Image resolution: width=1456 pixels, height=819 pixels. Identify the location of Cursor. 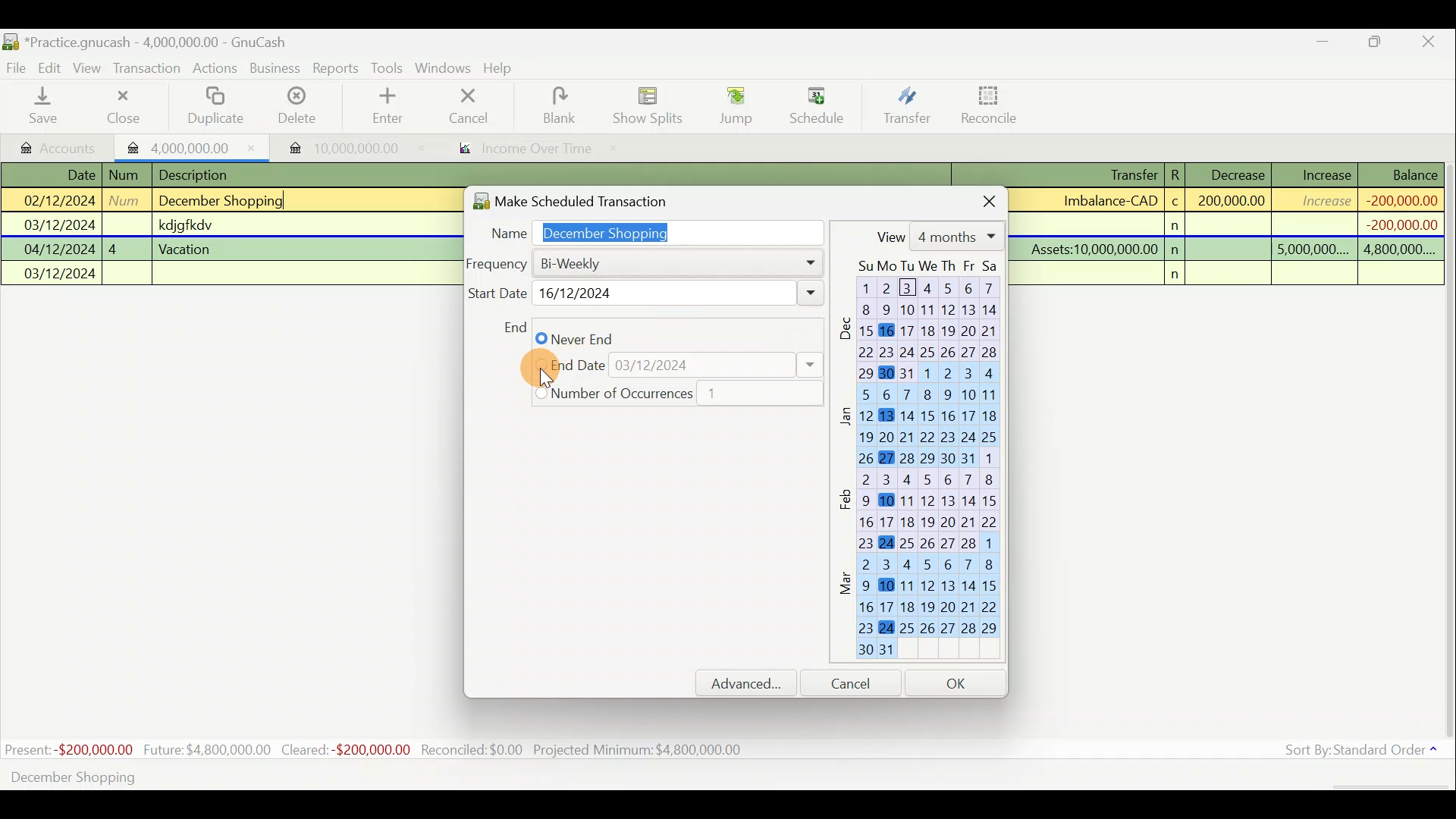
(815, 99).